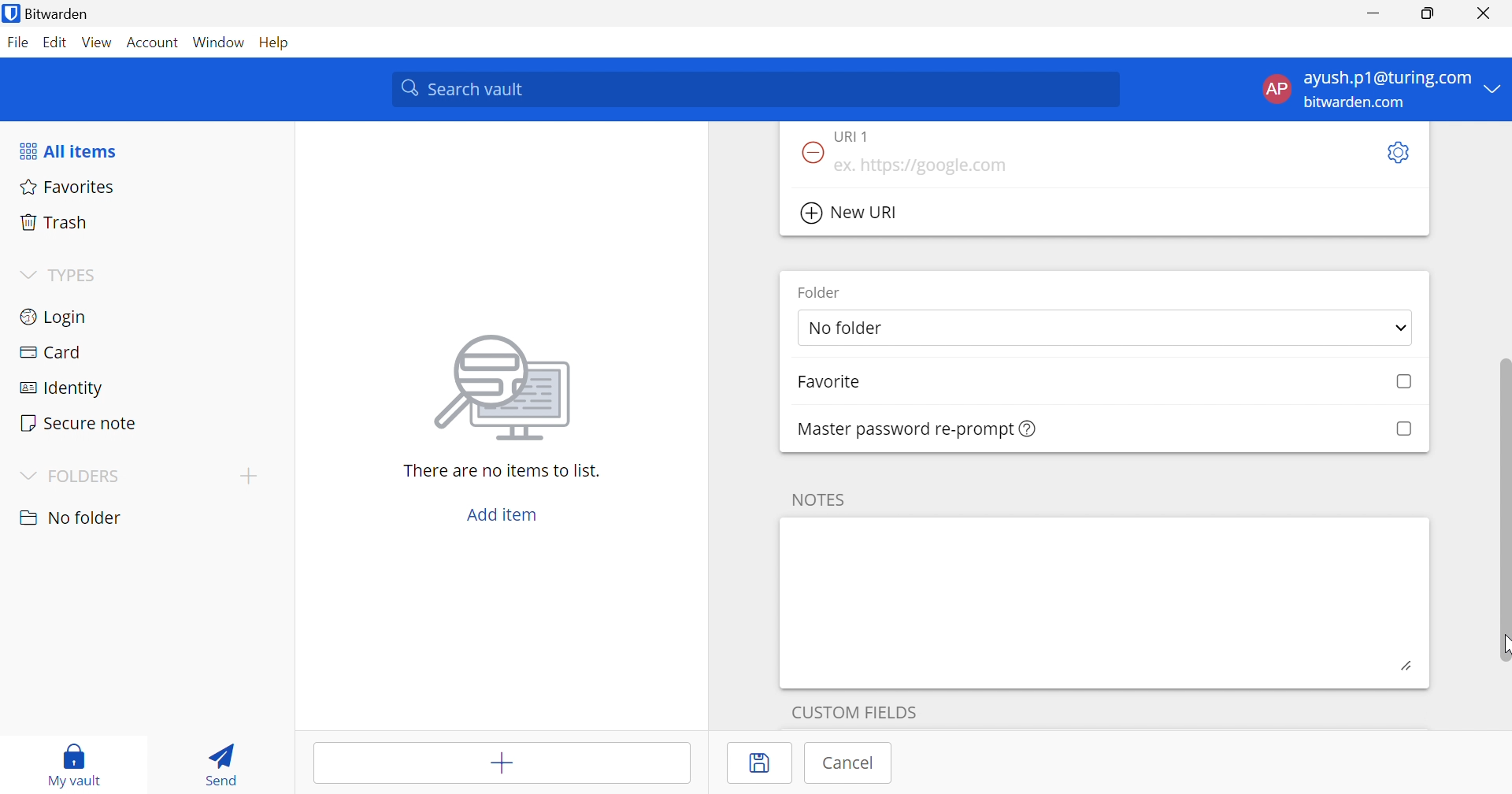  I want to click on Save, so click(762, 763).